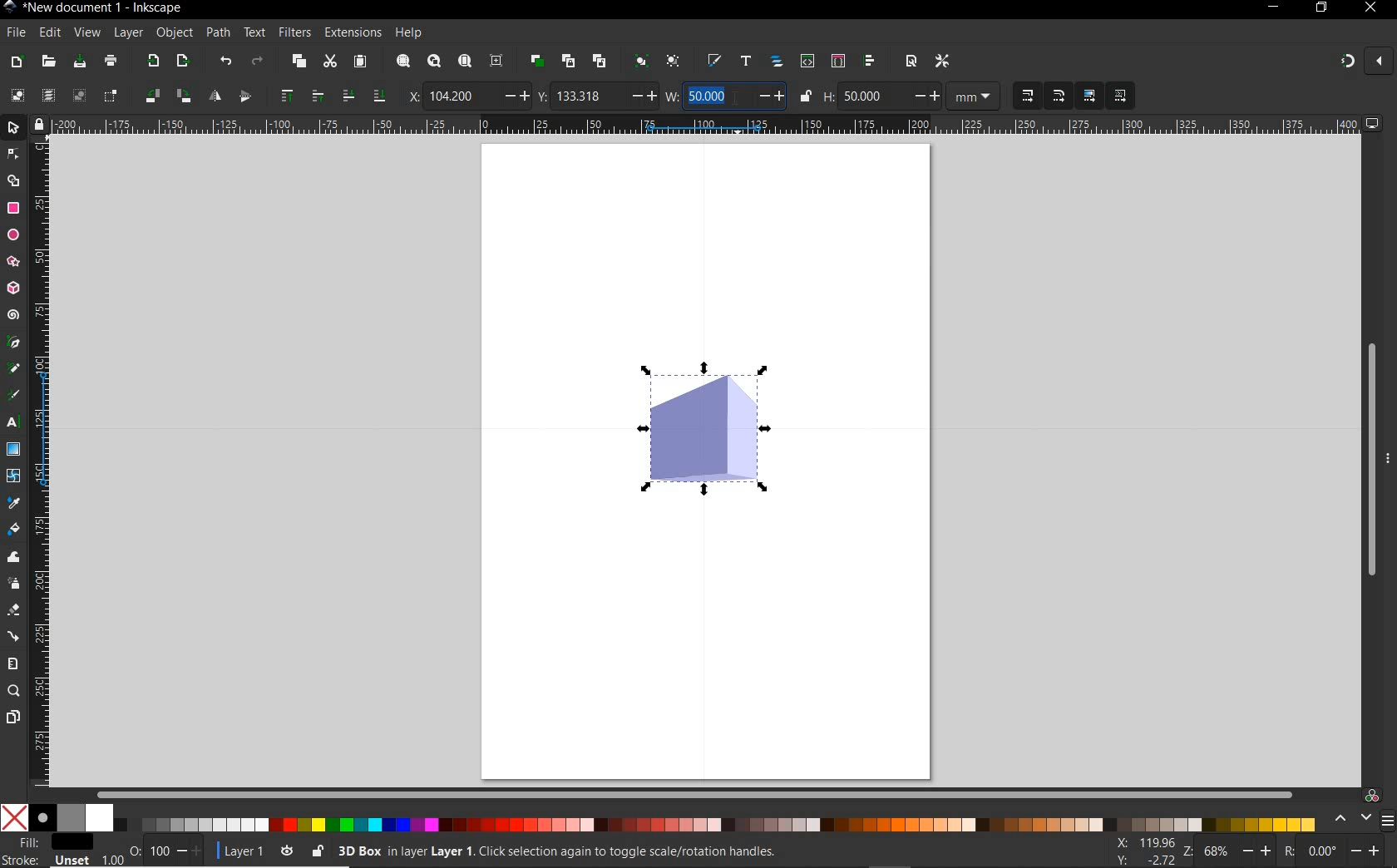 The width and height of the screenshot is (1397, 868). What do you see at coordinates (38, 124) in the screenshot?
I see `lock` at bounding box center [38, 124].